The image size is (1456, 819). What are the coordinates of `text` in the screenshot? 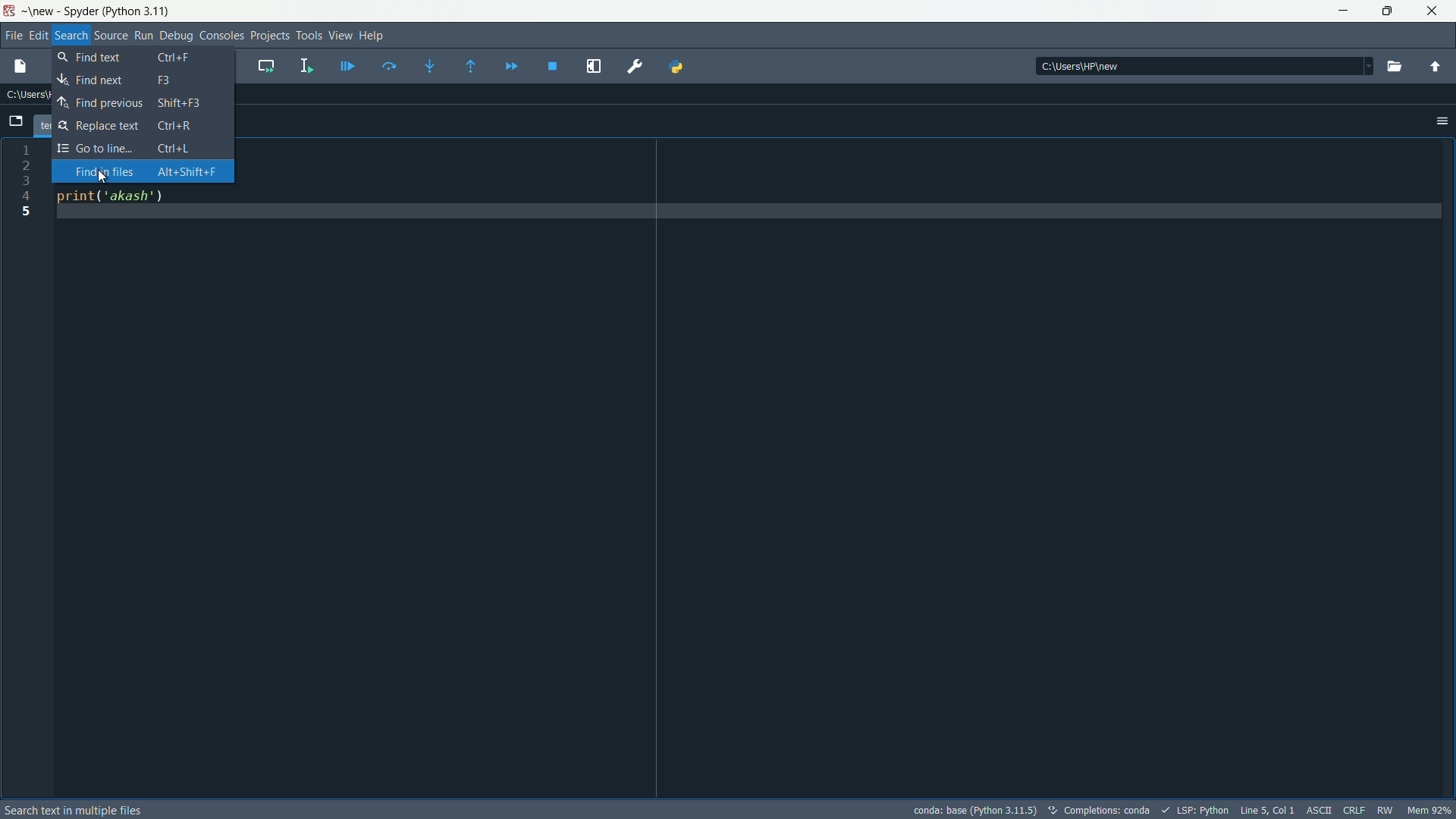 It's located at (74, 810).